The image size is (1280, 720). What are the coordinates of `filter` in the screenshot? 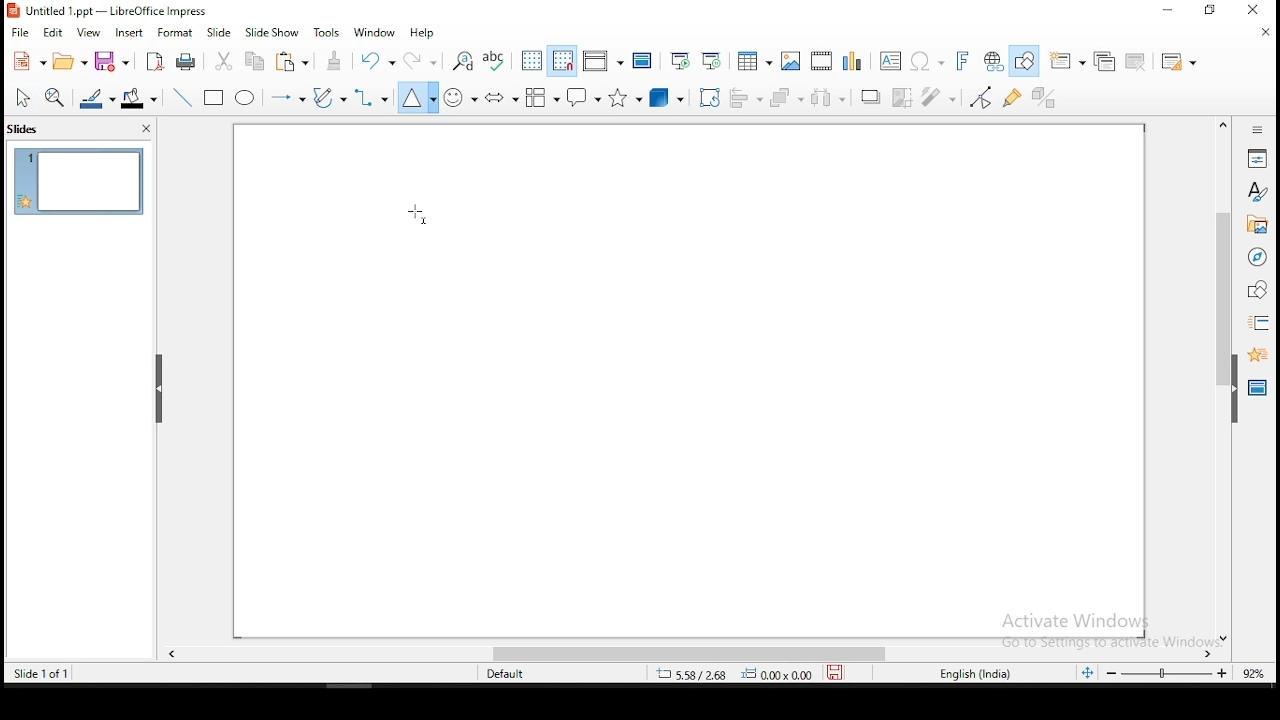 It's located at (943, 97).